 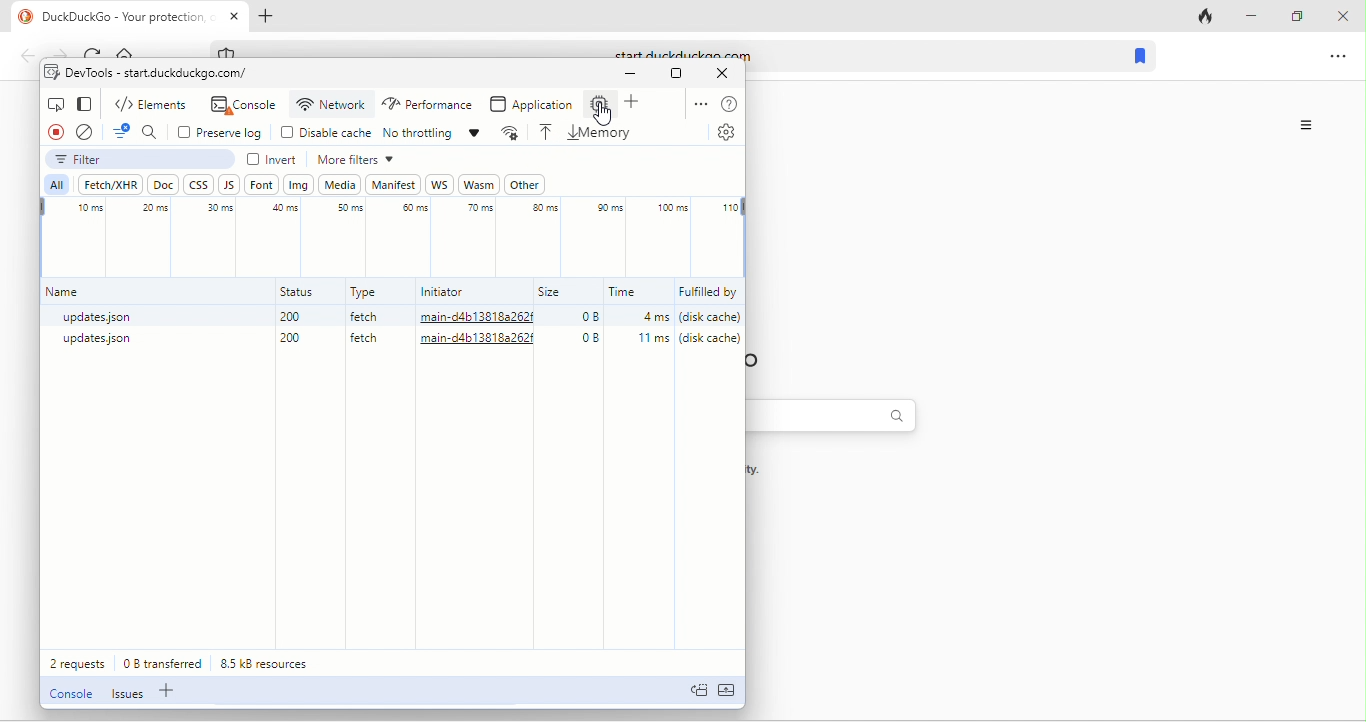 What do you see at coordinates (708, 291) in the screenshot?
I see `fulfilled by` at bounding box center [708, 291].